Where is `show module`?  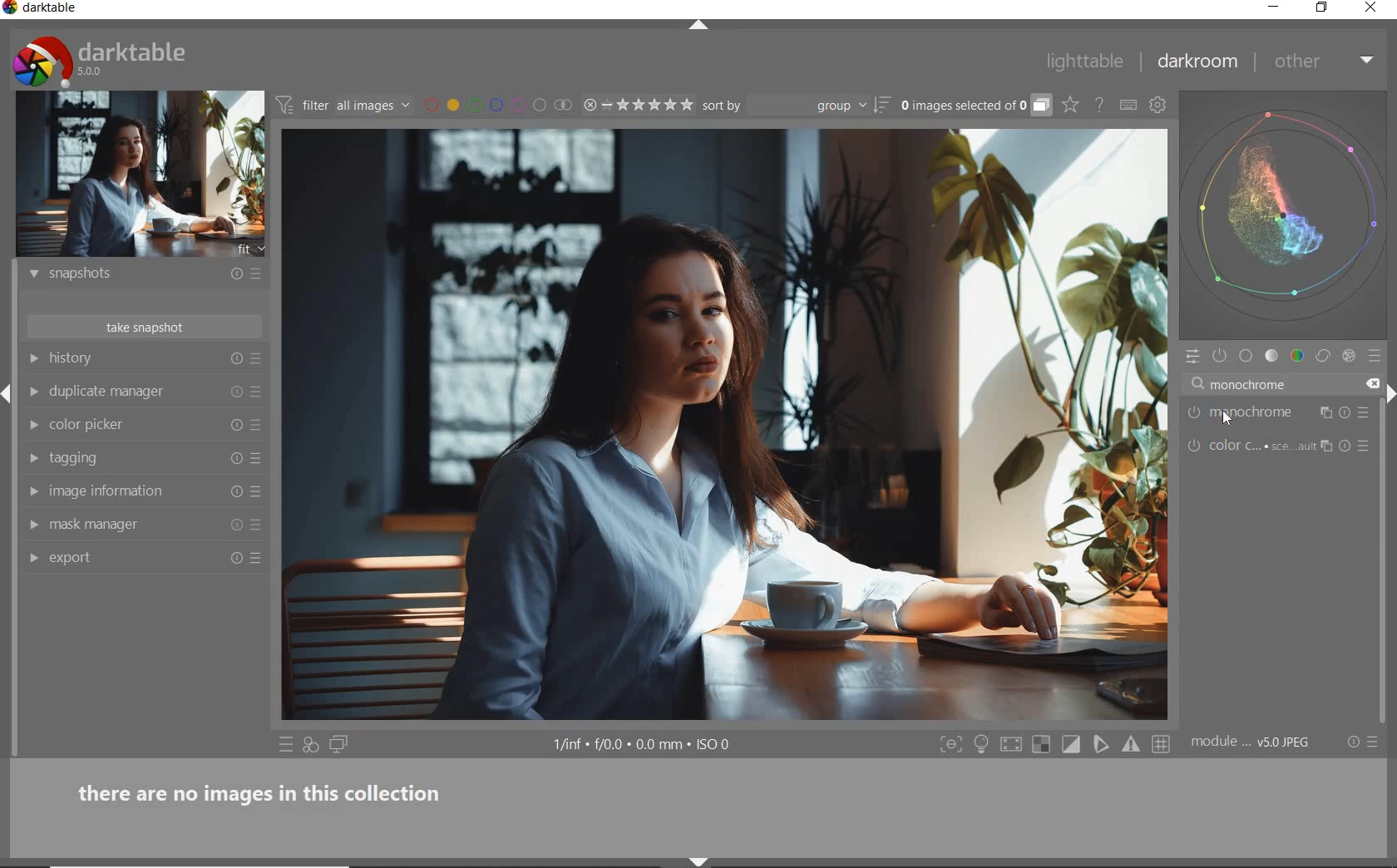
show module is located at coordinates (31, 491).